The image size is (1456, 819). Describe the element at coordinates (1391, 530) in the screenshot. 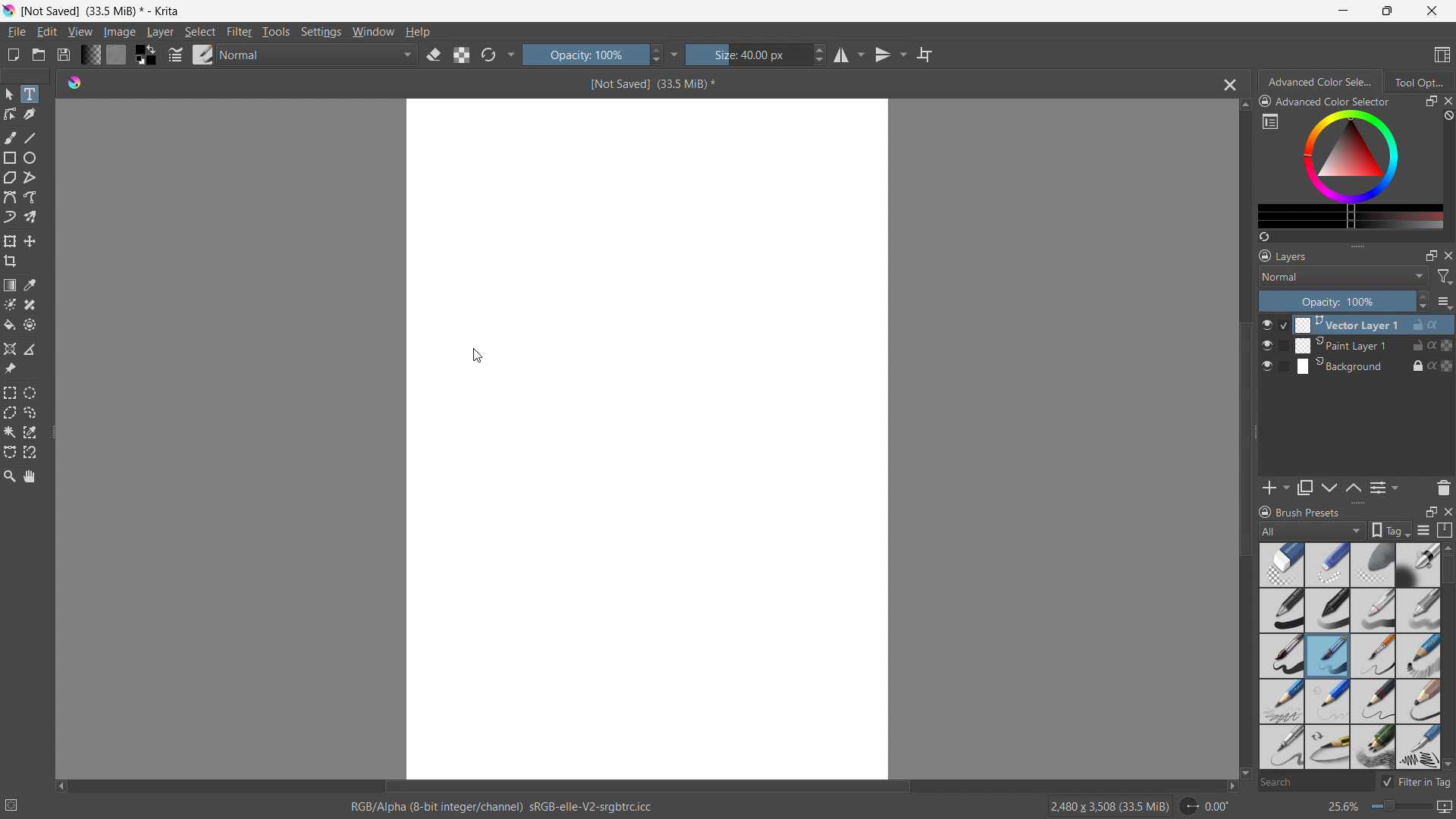

I see `tags` at that location.